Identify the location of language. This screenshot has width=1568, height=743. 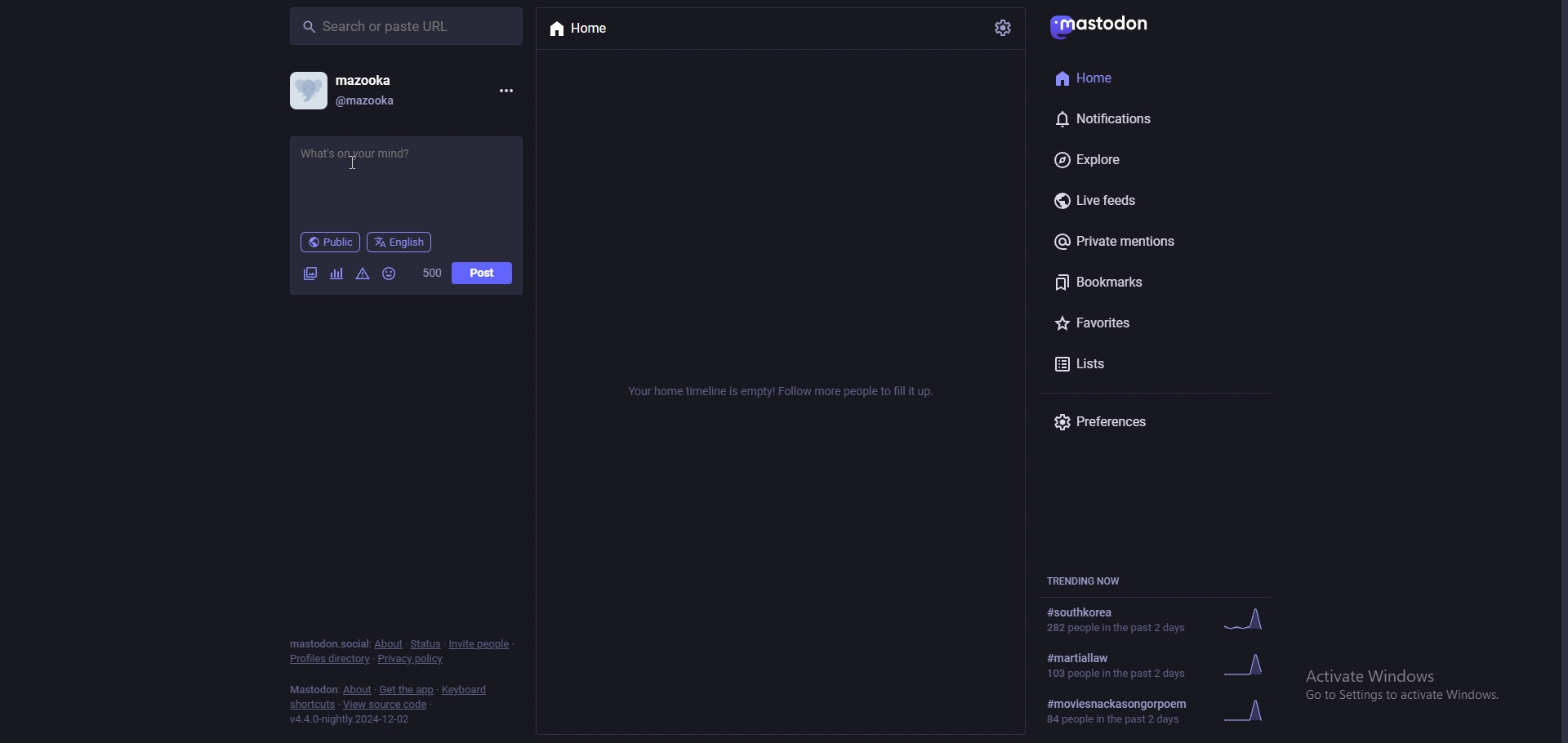
(399, 242).